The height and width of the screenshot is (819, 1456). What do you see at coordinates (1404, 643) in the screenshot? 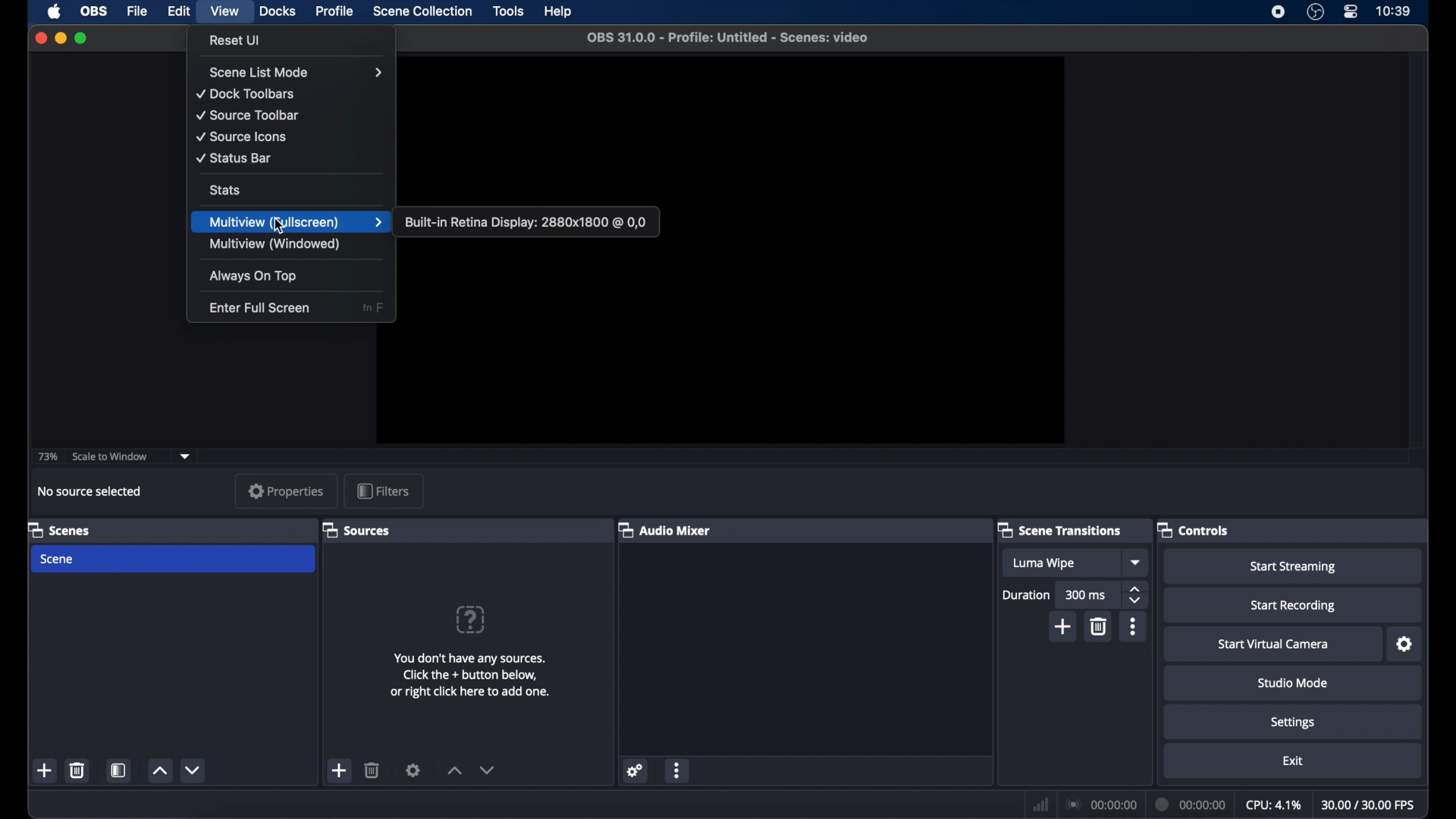
I see `settings` at bounding box center [1404, 643].